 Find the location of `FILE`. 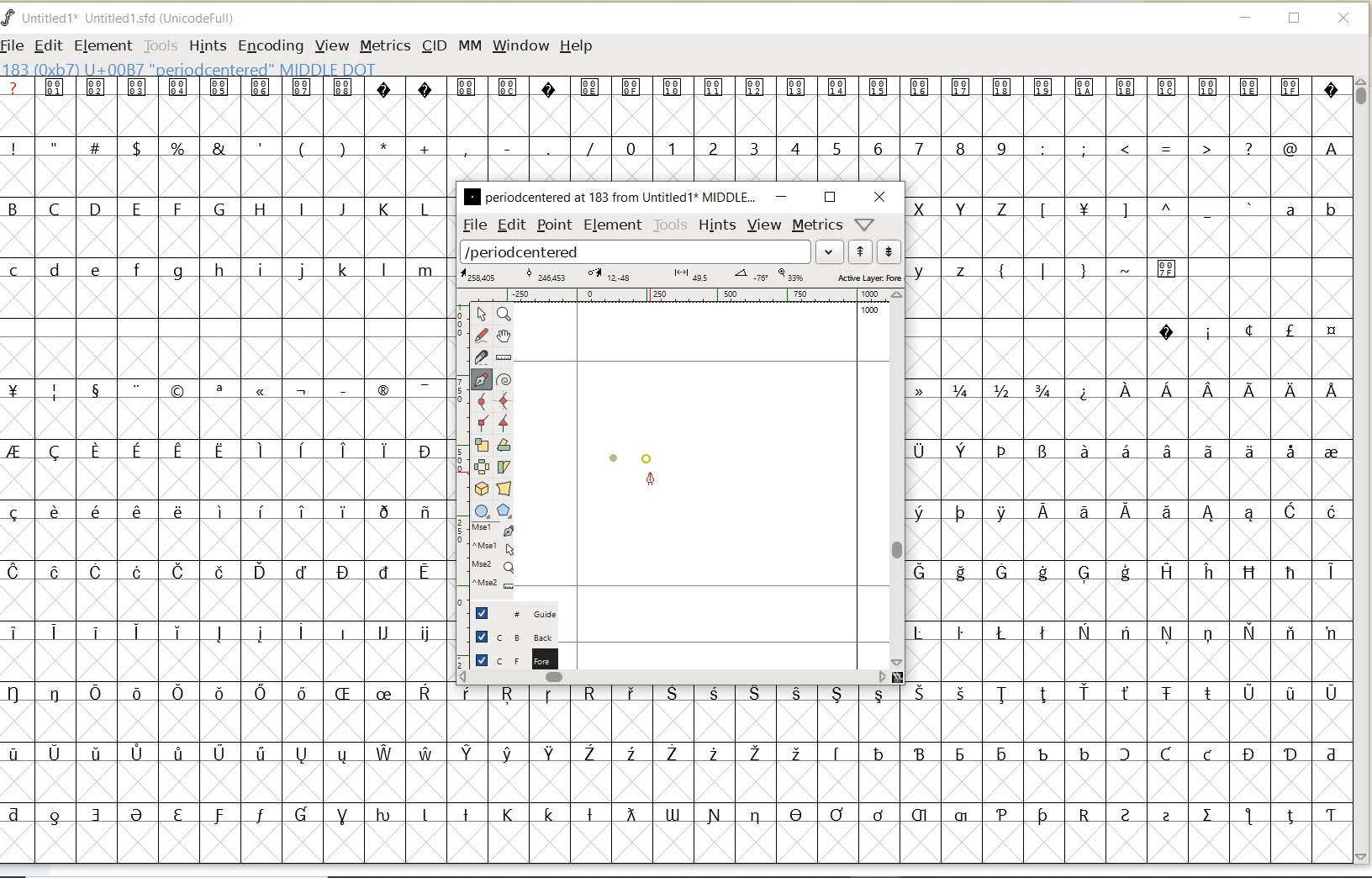

FILE is located at coordinates (14, 45).